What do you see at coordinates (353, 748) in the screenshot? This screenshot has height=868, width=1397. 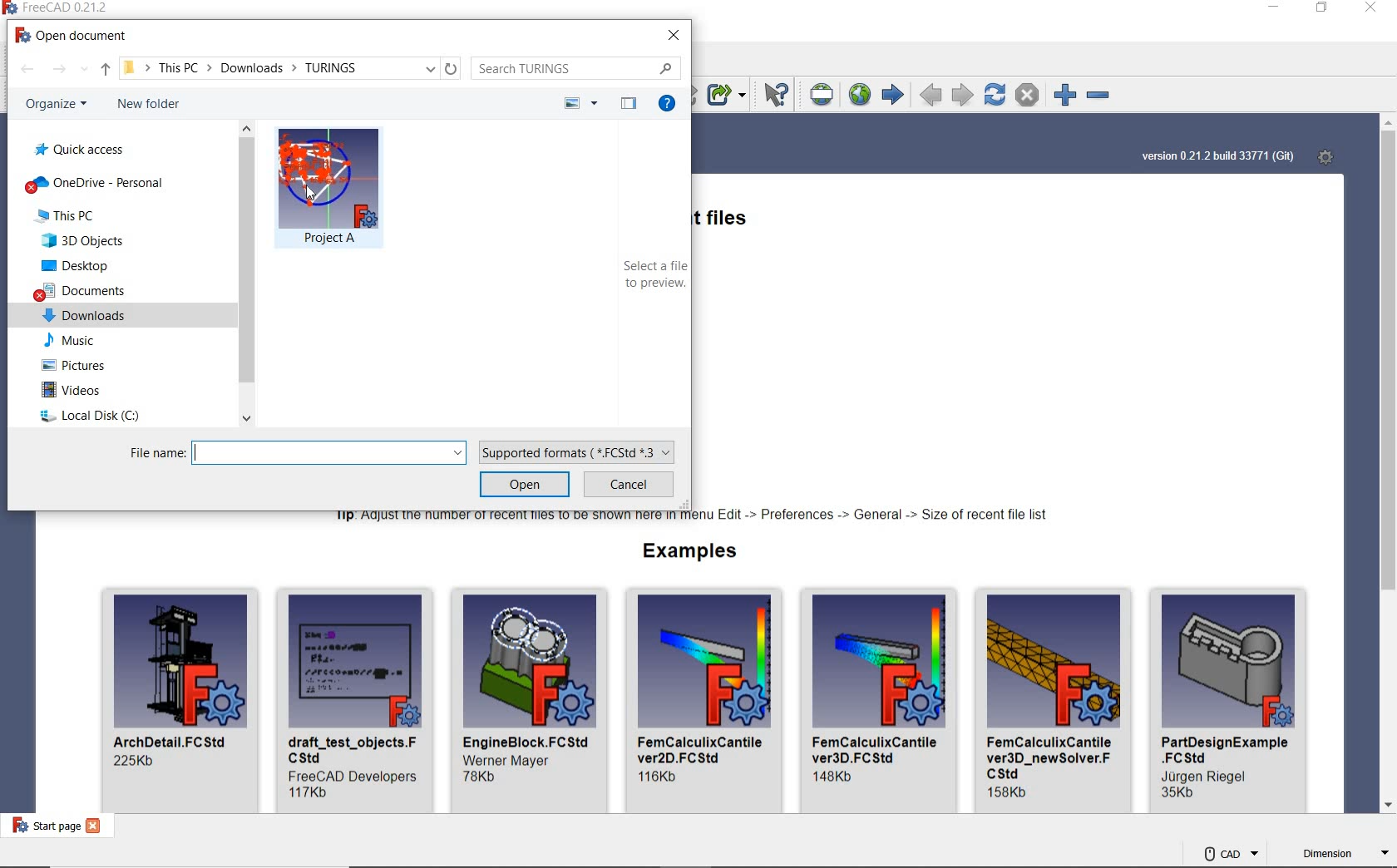 I see `name` at bounding box center [353, 748].